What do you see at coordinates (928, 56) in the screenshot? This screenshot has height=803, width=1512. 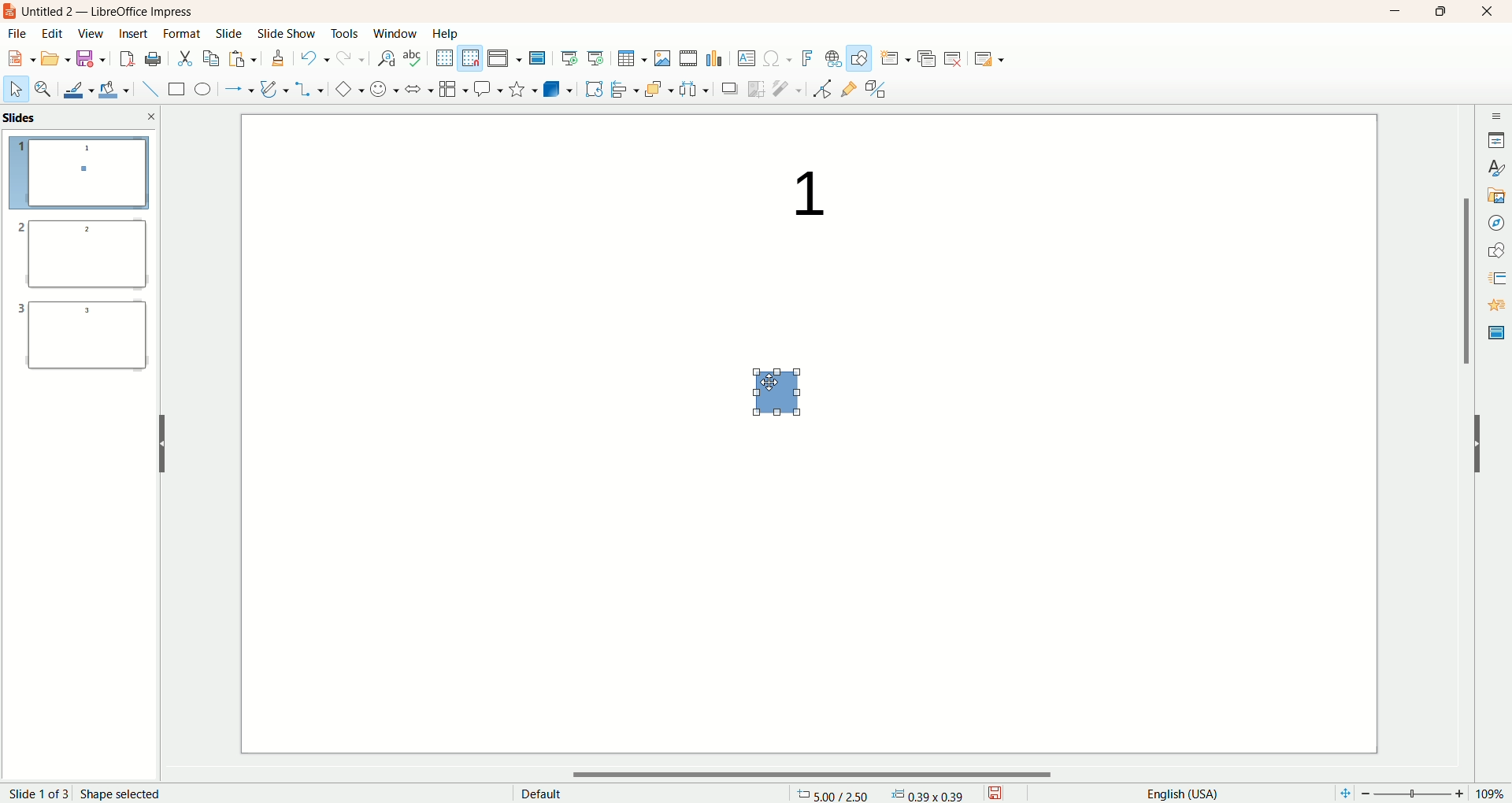 I see `duplicate slide` at bounding box center [928, 56].